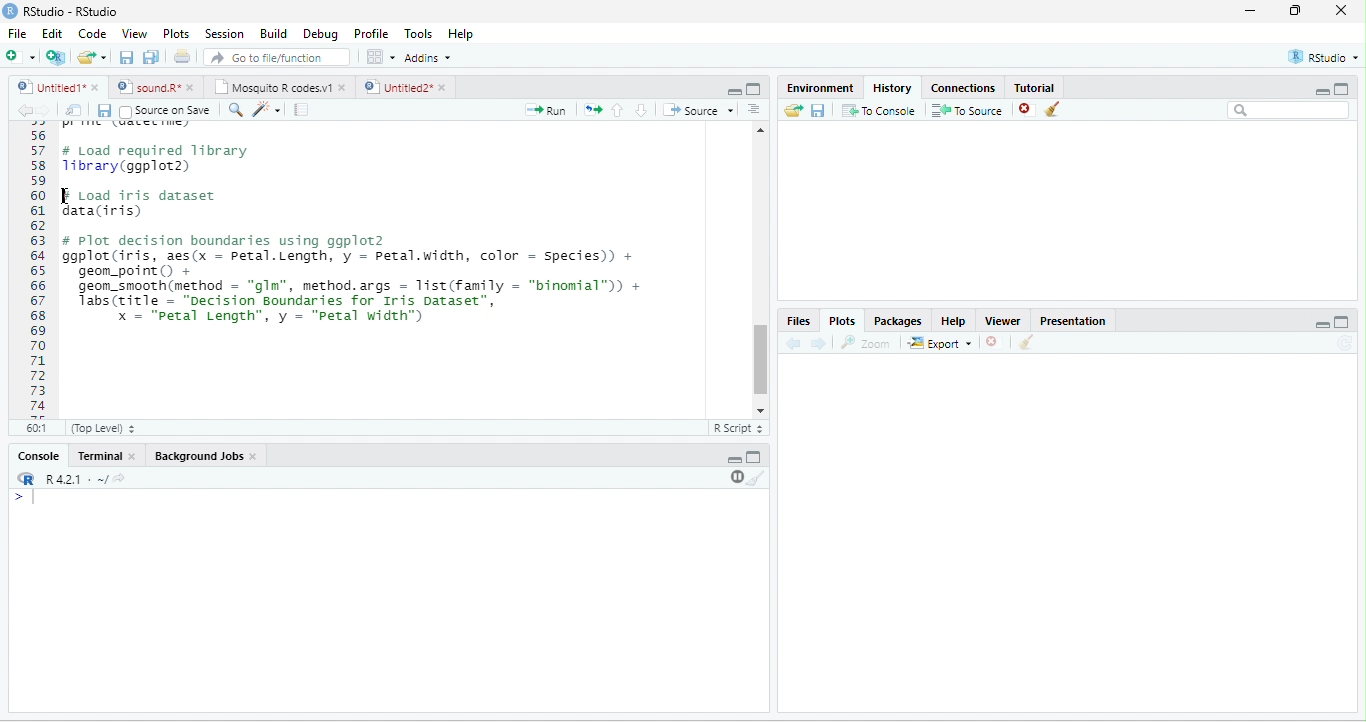  I want to click on scroll down, so click(760, 411).